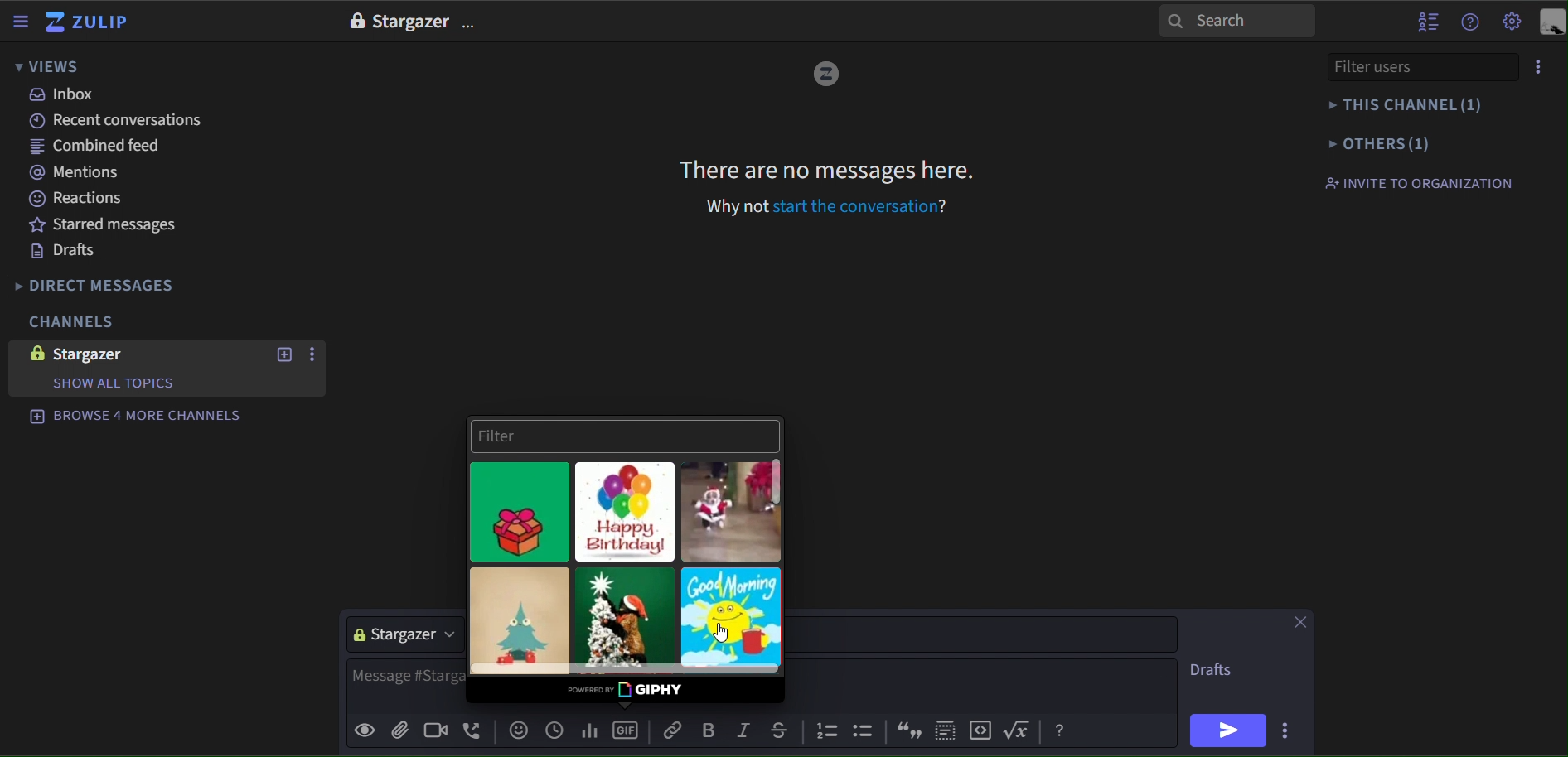 This screenshot has height=757, width=1568. I want to click on mentions, so click(82, 174).